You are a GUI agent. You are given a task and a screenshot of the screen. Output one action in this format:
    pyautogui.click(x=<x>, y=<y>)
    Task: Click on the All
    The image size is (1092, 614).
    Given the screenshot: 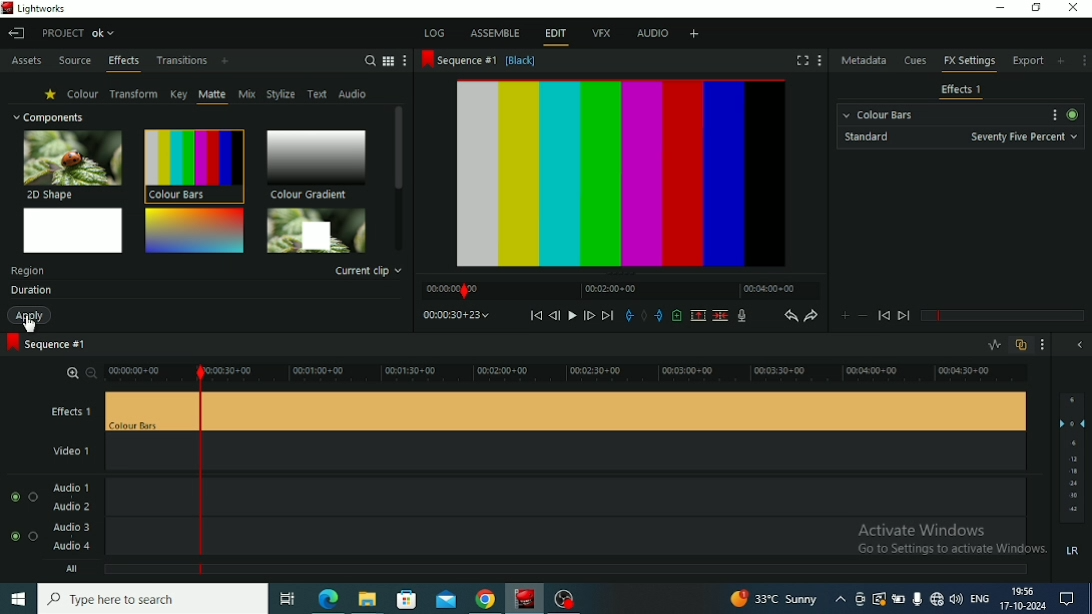 What is the action you would take?
    pyautogui.click(x=624, y=571)
    